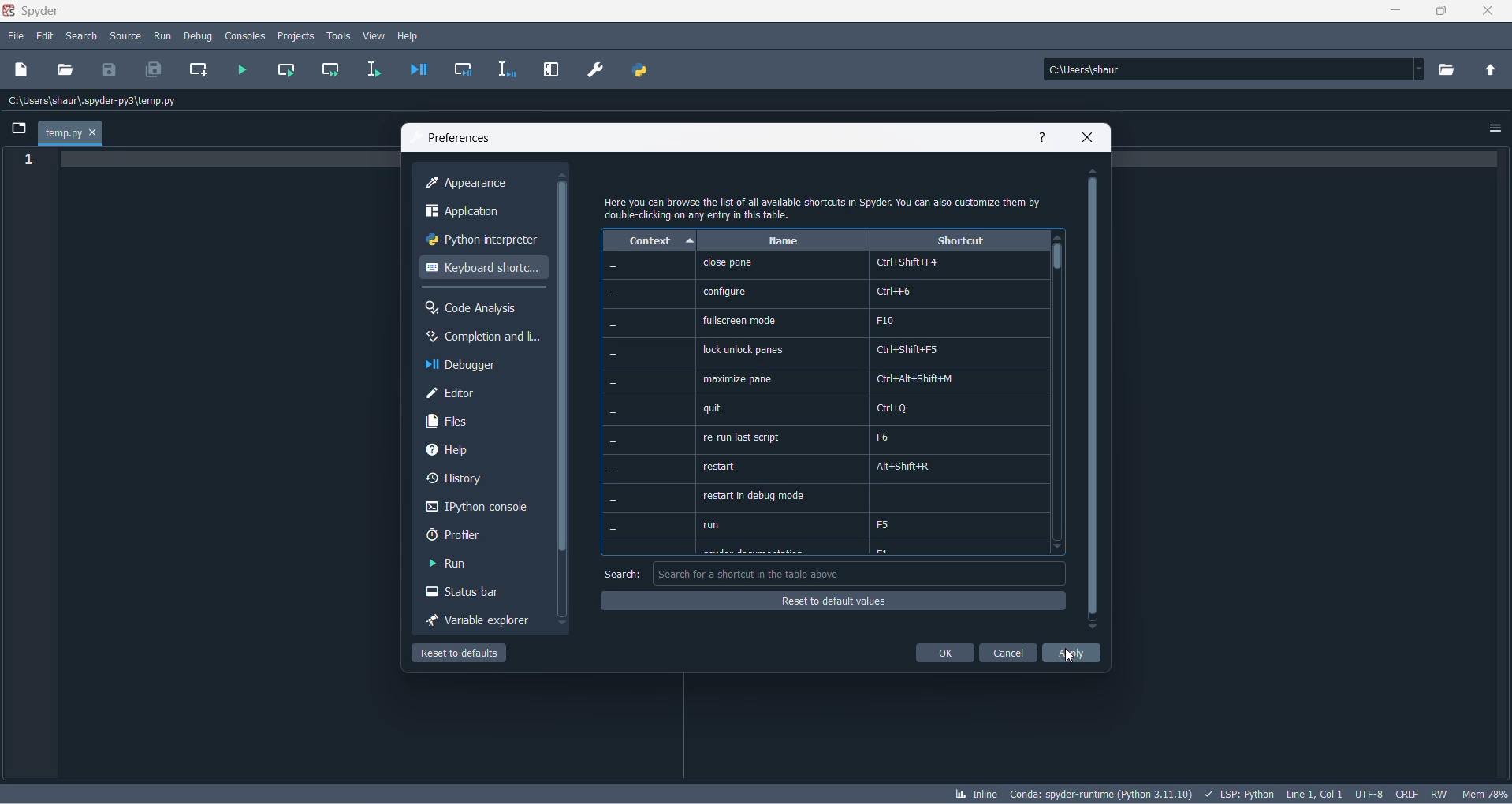  What do you see at coordinates (896, 290) in the screenshot?
I see `Ctri+F6` at bounding box center [896, 290].